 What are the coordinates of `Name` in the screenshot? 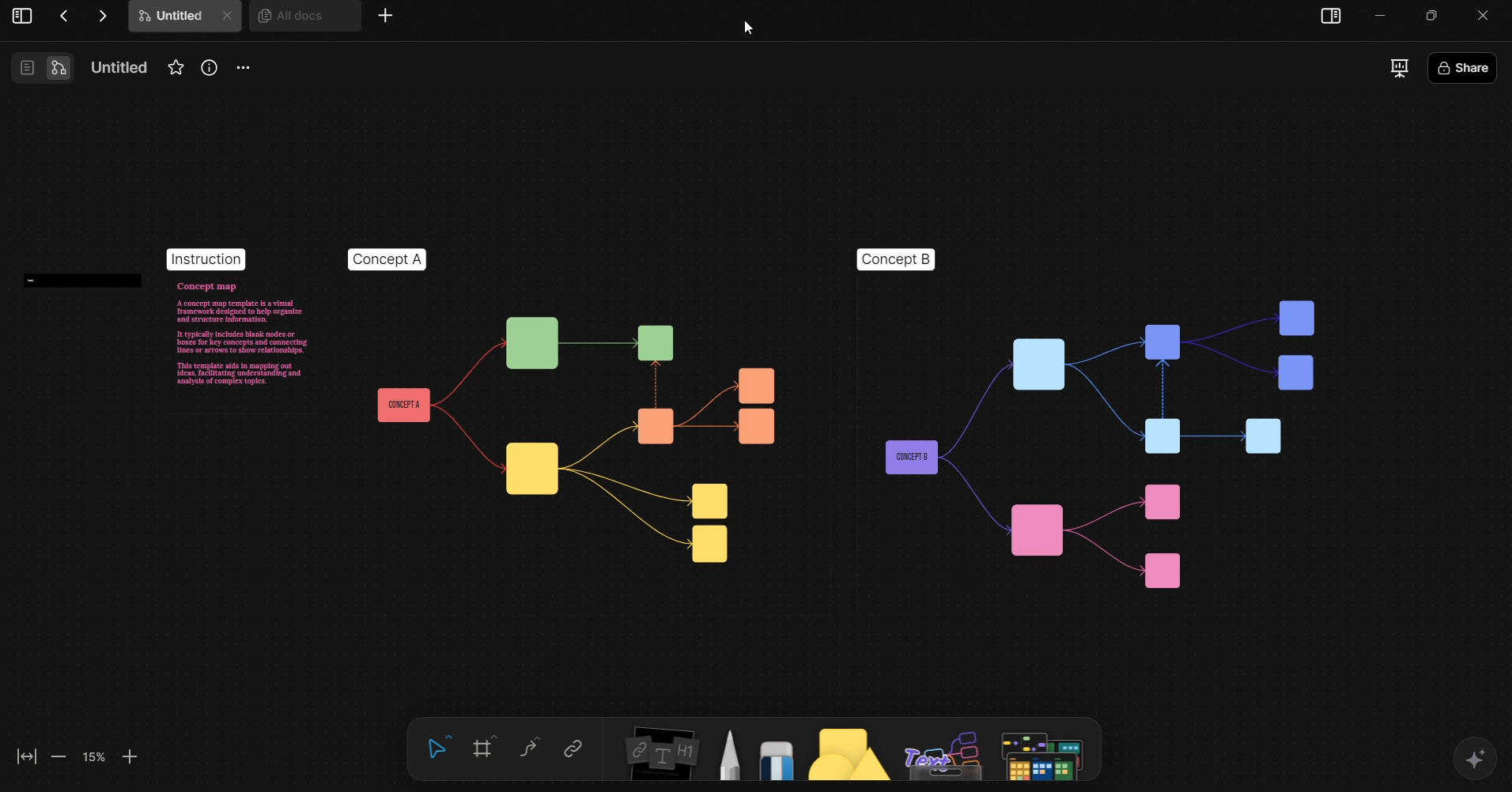 It's located at (114, 66).